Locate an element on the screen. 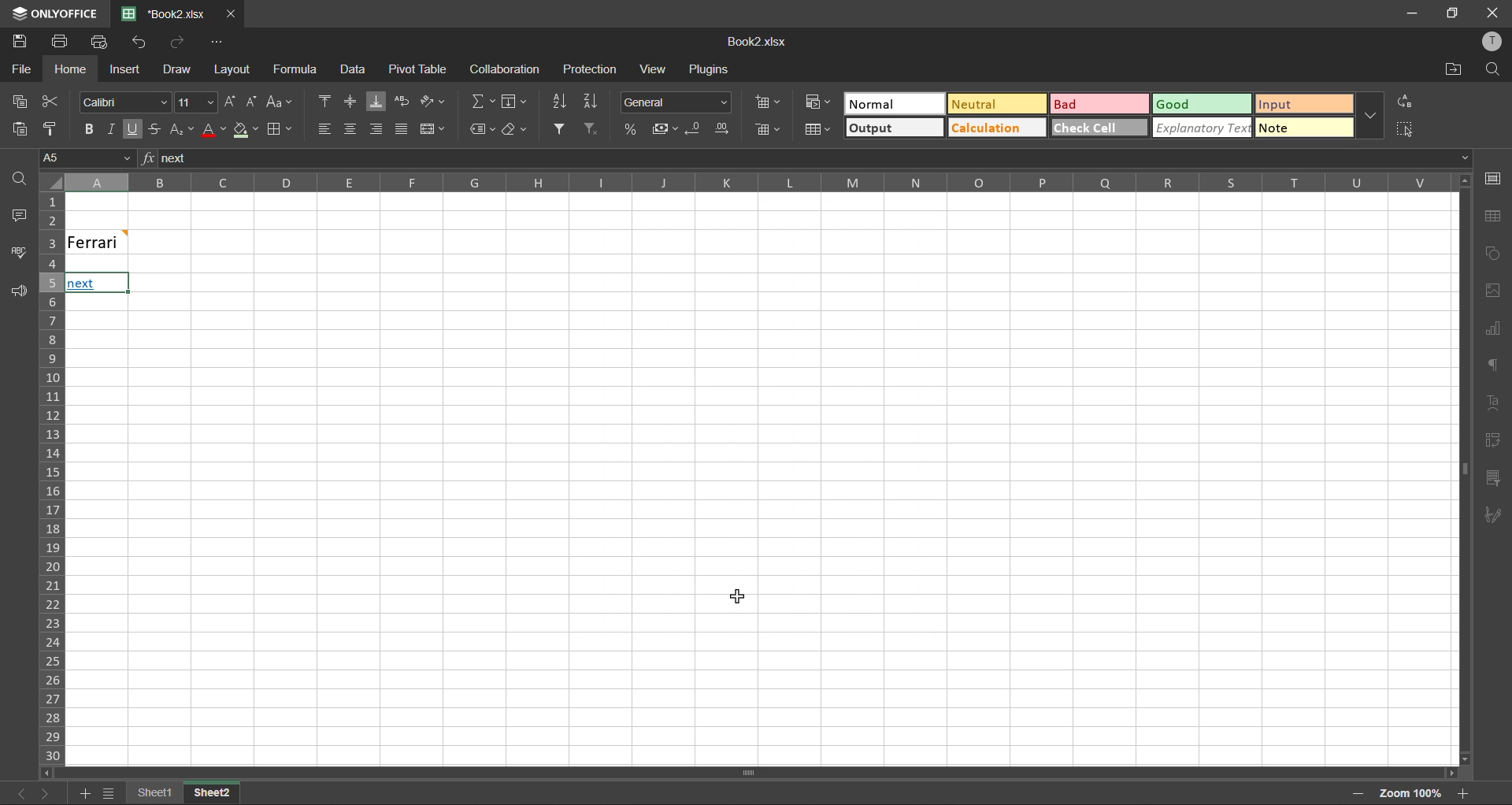  Vertical Scrollbar is located at coordinates (751, 774).